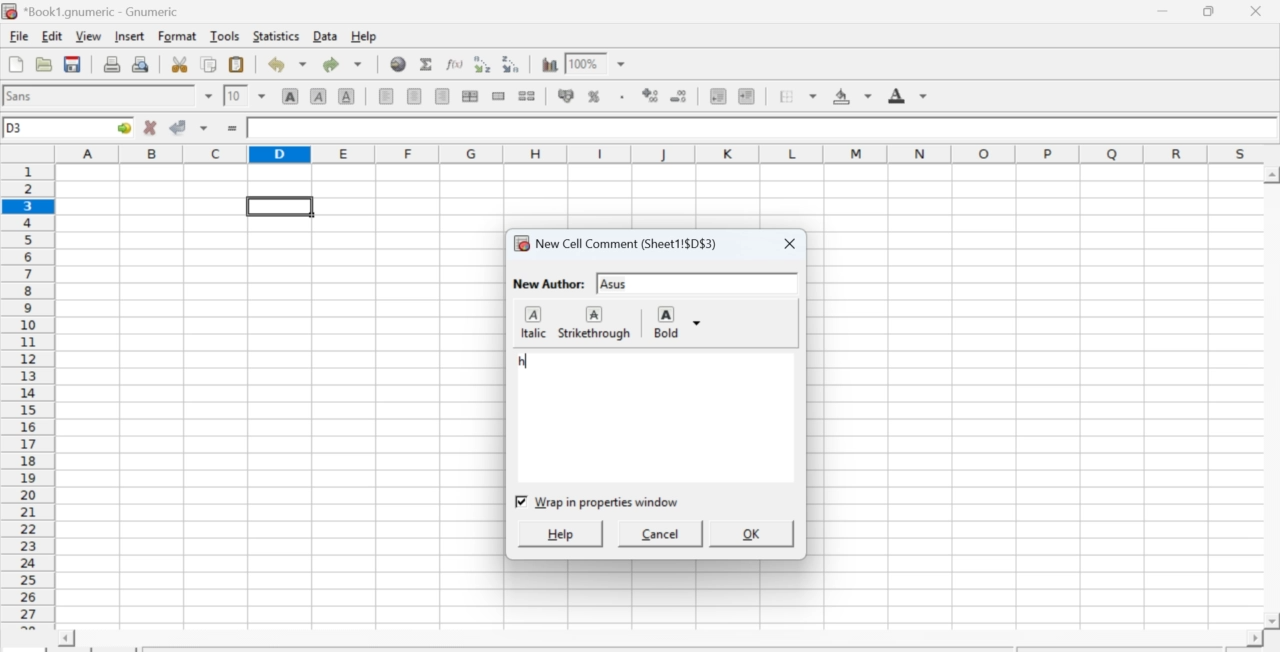 The image size is (1280, 652). I want to click on Save, so click(72, 65).